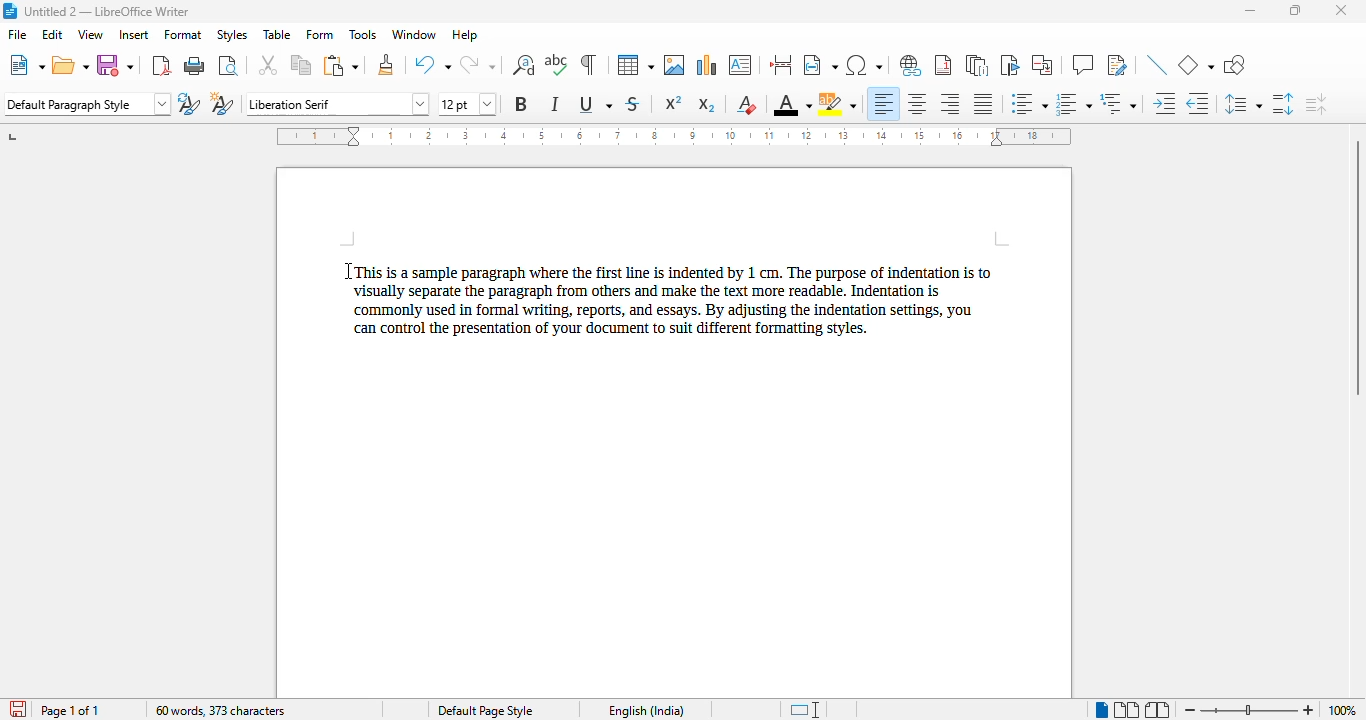  What do you see at coordinates (820, 65) in the screenshot?
I see `insert field` at bounding box center [820, 65].